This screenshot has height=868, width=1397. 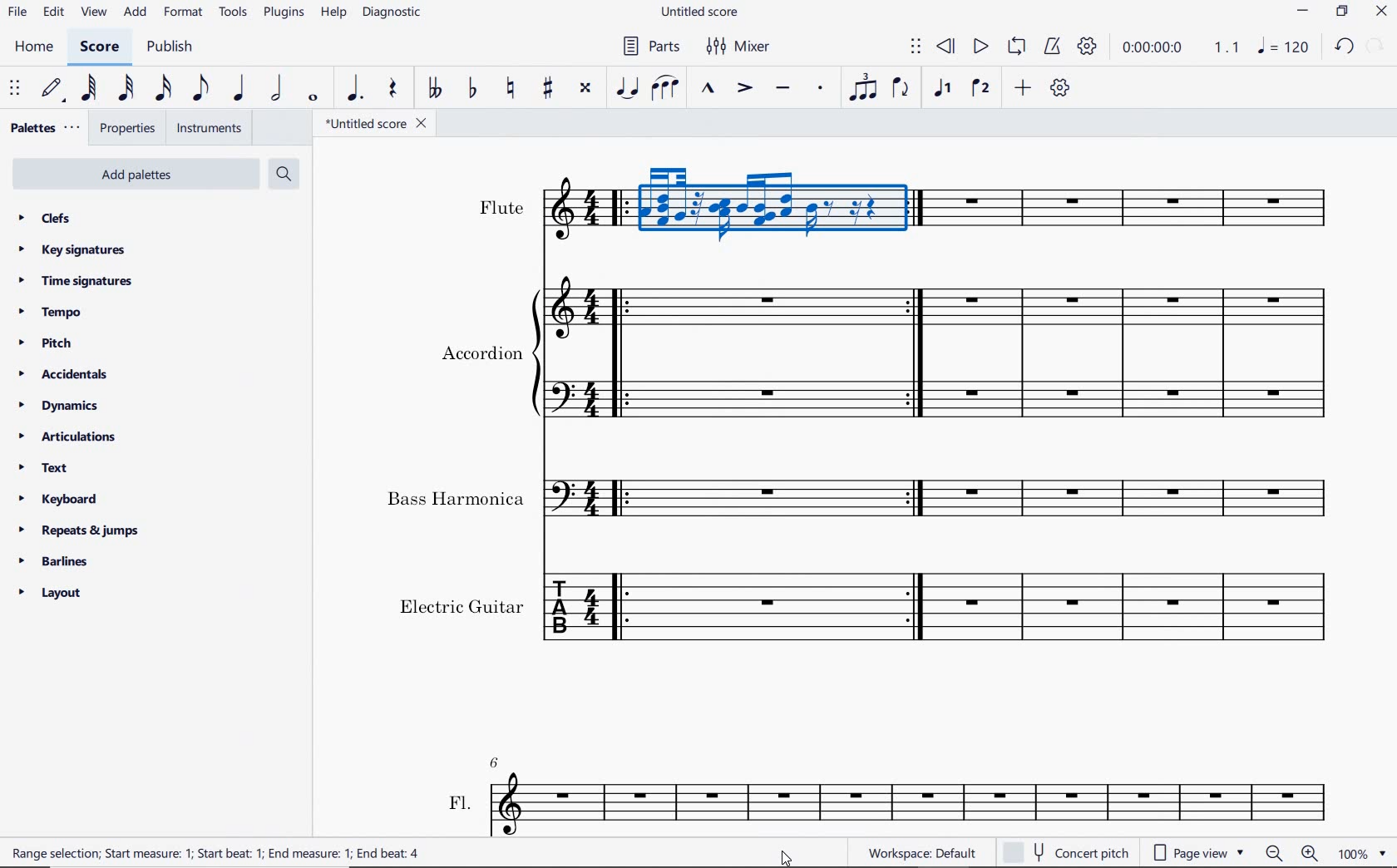 What do you see at coordinates (1022, 87) in the screenshot?
I see `add` at bounding box center [1022, 87].